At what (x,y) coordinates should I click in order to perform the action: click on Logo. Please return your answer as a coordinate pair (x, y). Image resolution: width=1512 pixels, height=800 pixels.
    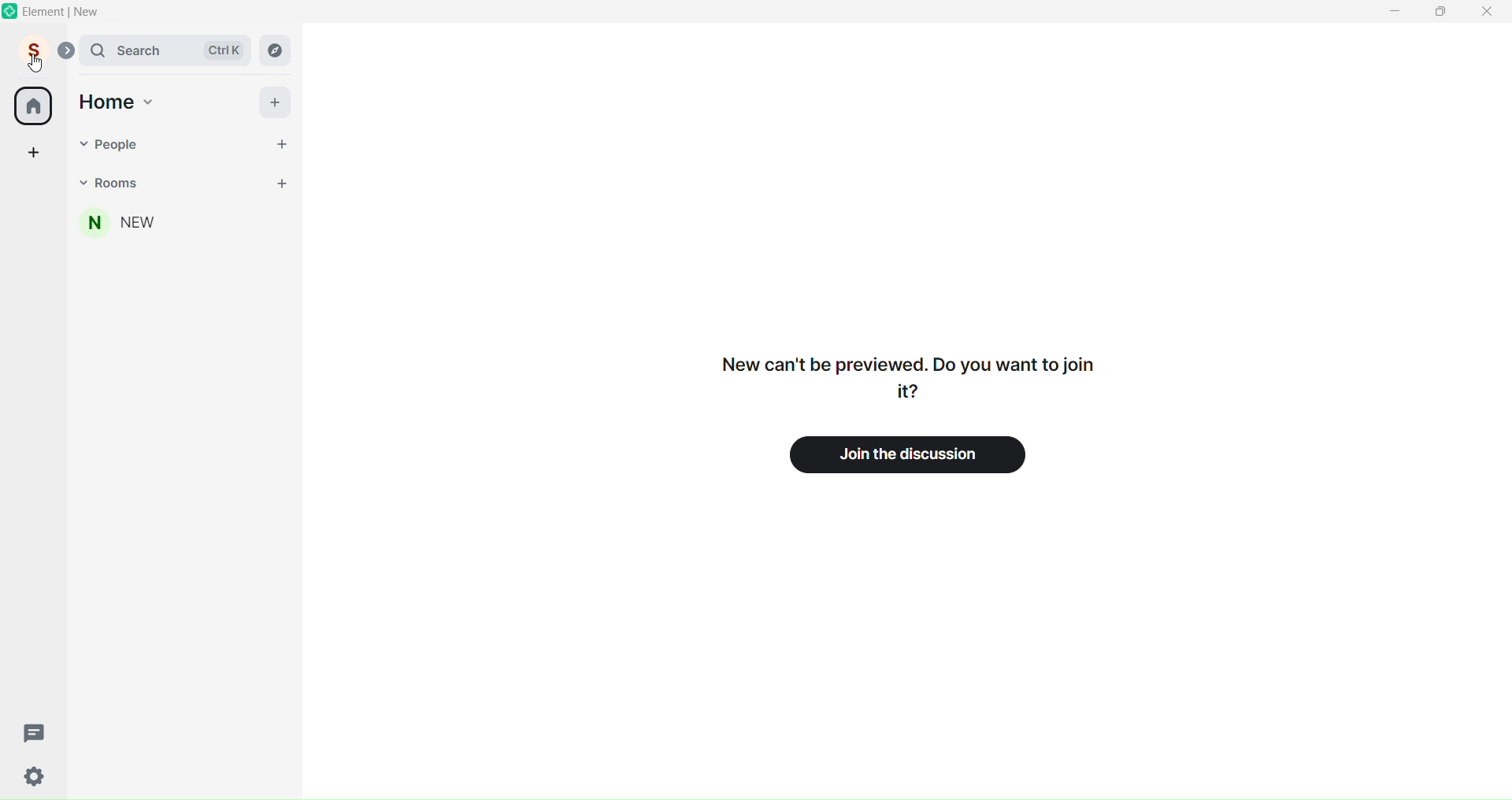
    Looking at the image, I should click on (9, 13).